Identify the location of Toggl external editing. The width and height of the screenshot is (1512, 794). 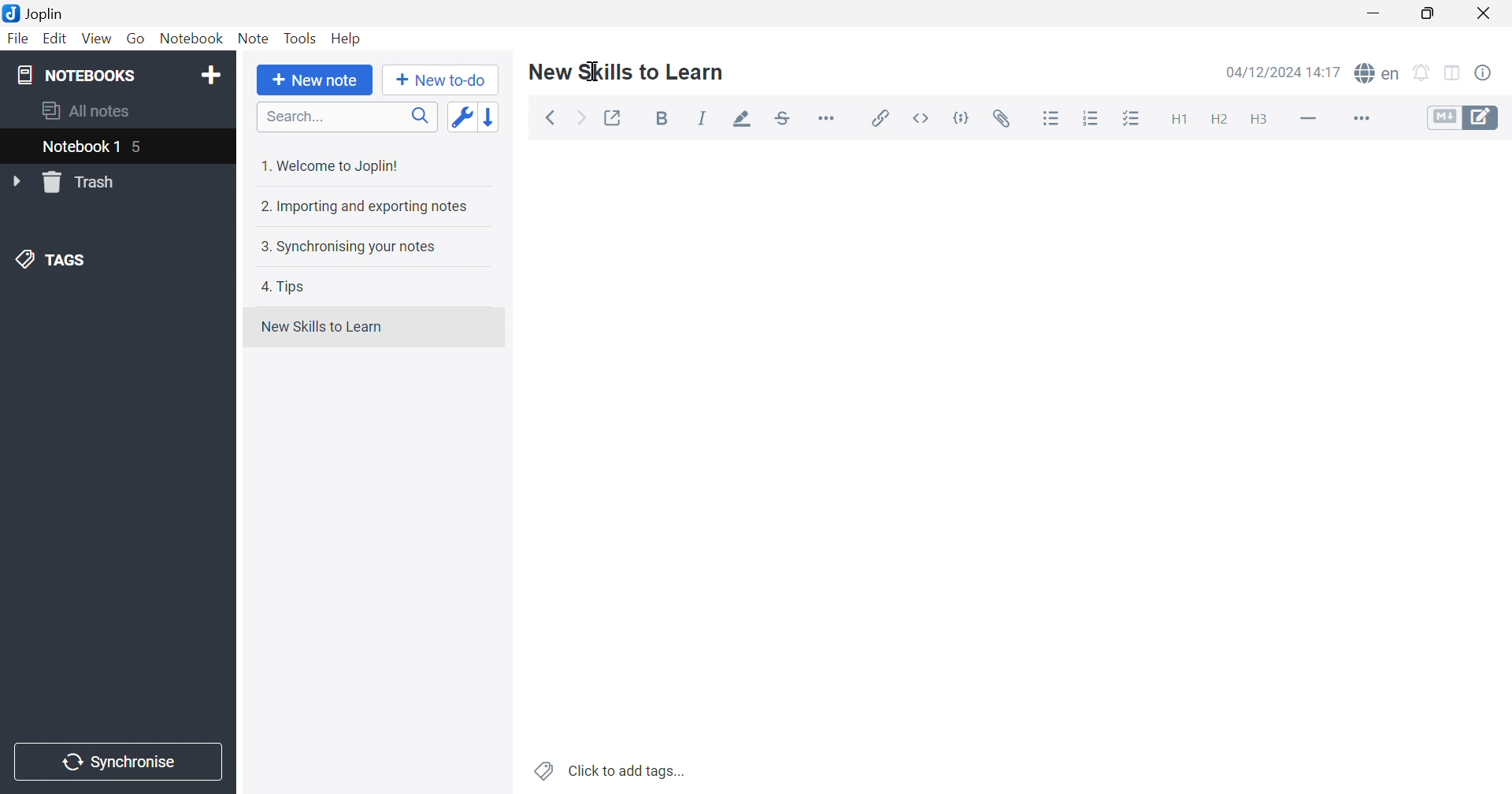
(614, 118).